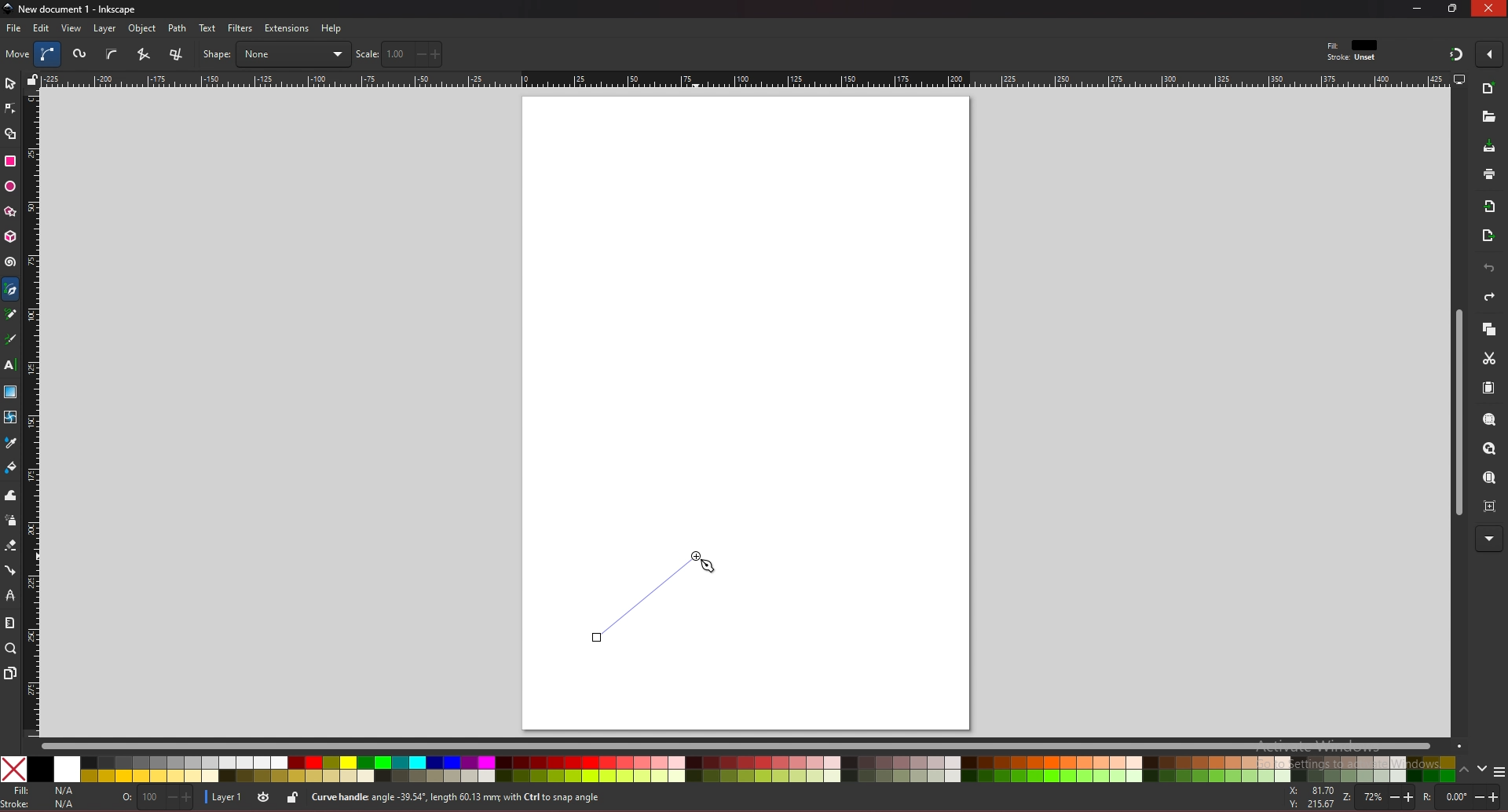 This screenshot has height=812, width=1508. What do you see at coordinates (9, 161) in the screenshot?
I see `rectangle` at bounding box center [9, 161].